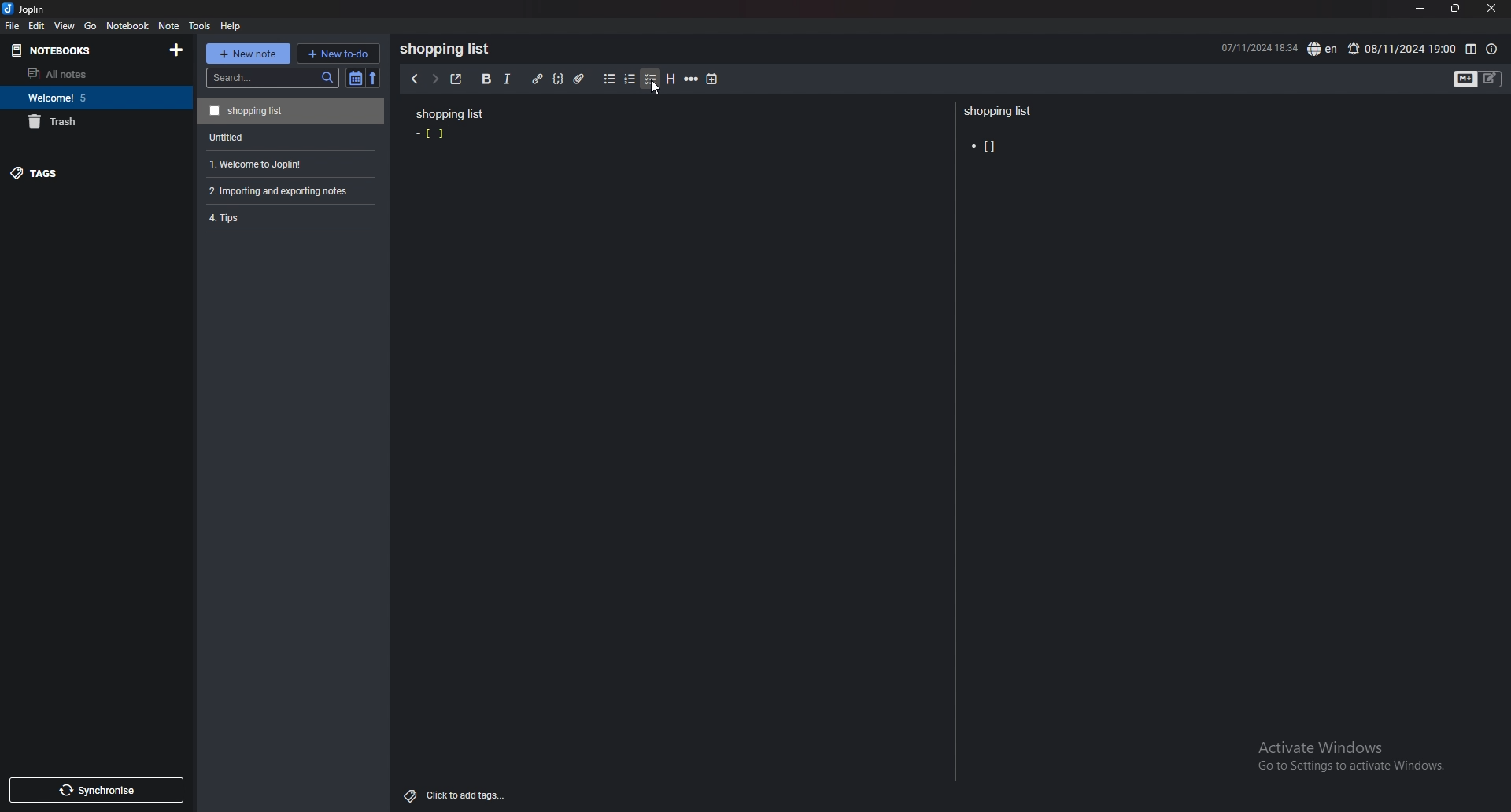 The image size is (1511, 812). I want to click on  08/11/2024 19:00, so click(1401, 49).